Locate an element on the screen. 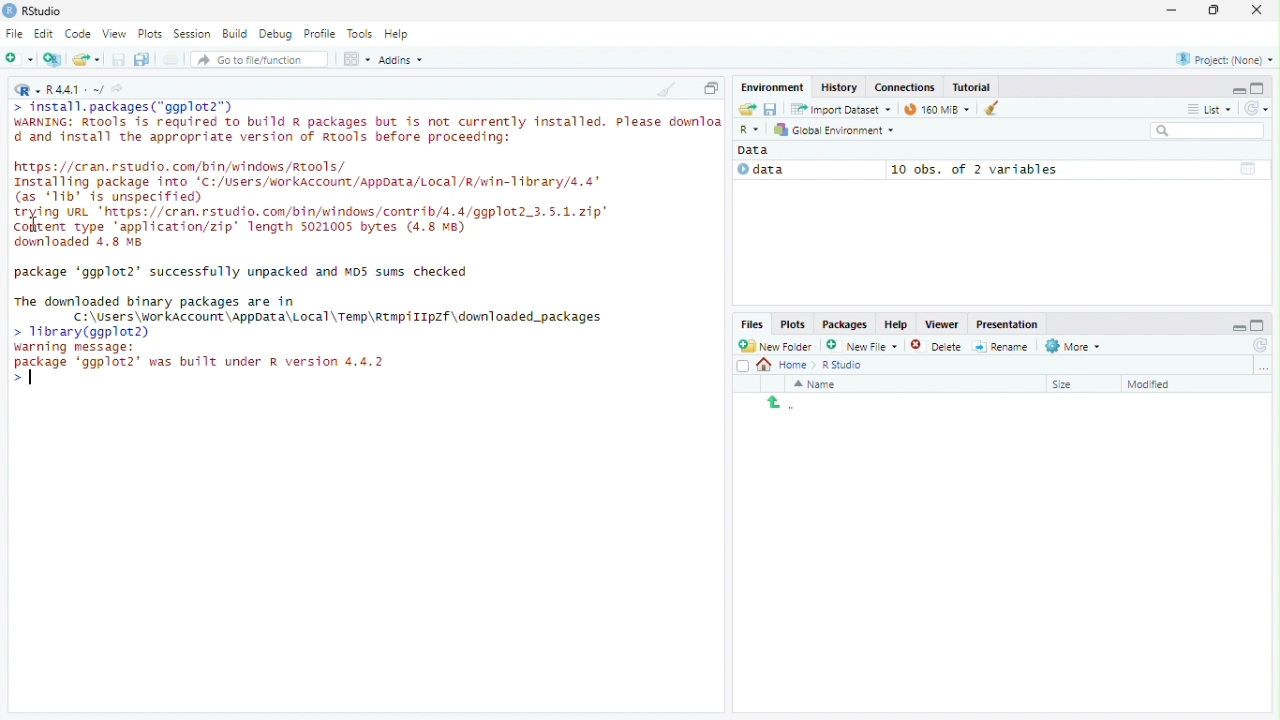 The width and height of the screenshot is (1280, 720). Environment is located at coordinates (773, 87).